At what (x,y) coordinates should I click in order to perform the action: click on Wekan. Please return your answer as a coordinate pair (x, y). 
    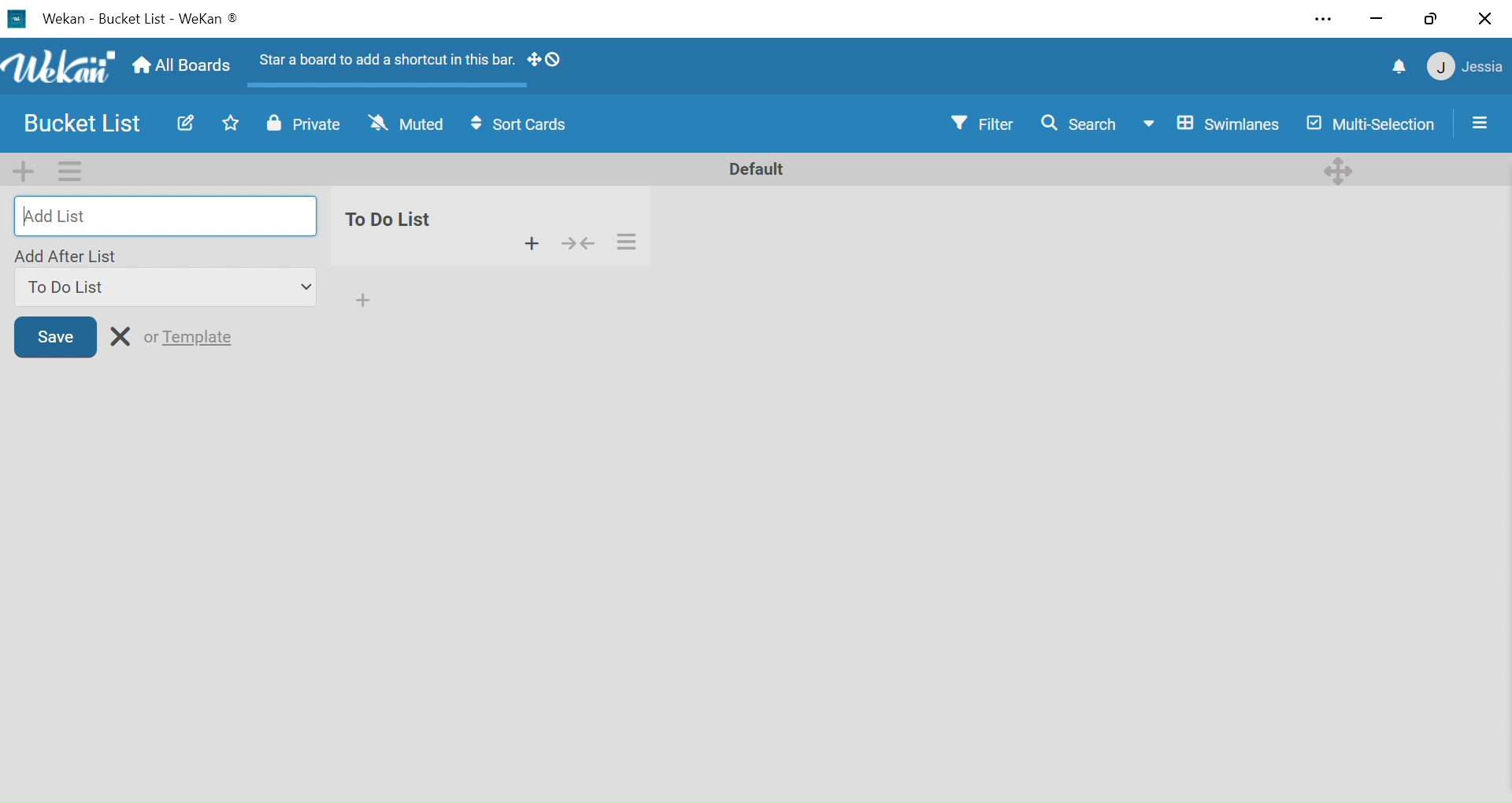
    Looking at the image, I should click on (63, 19).